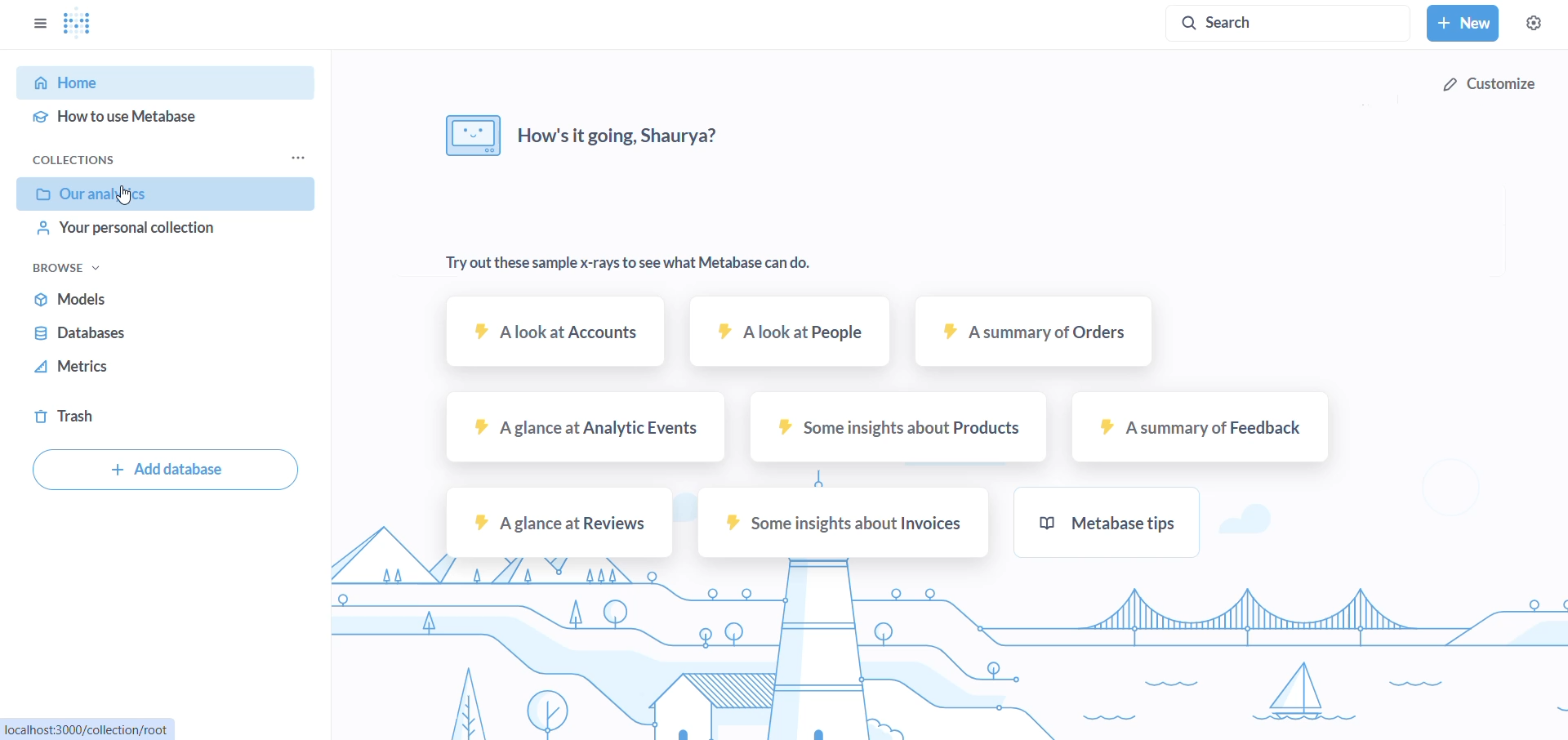  What do you see at coordinates (585, 429) in the screenshot?
I see `A glance at Analytic events sample` at bounding box center [585, 429].